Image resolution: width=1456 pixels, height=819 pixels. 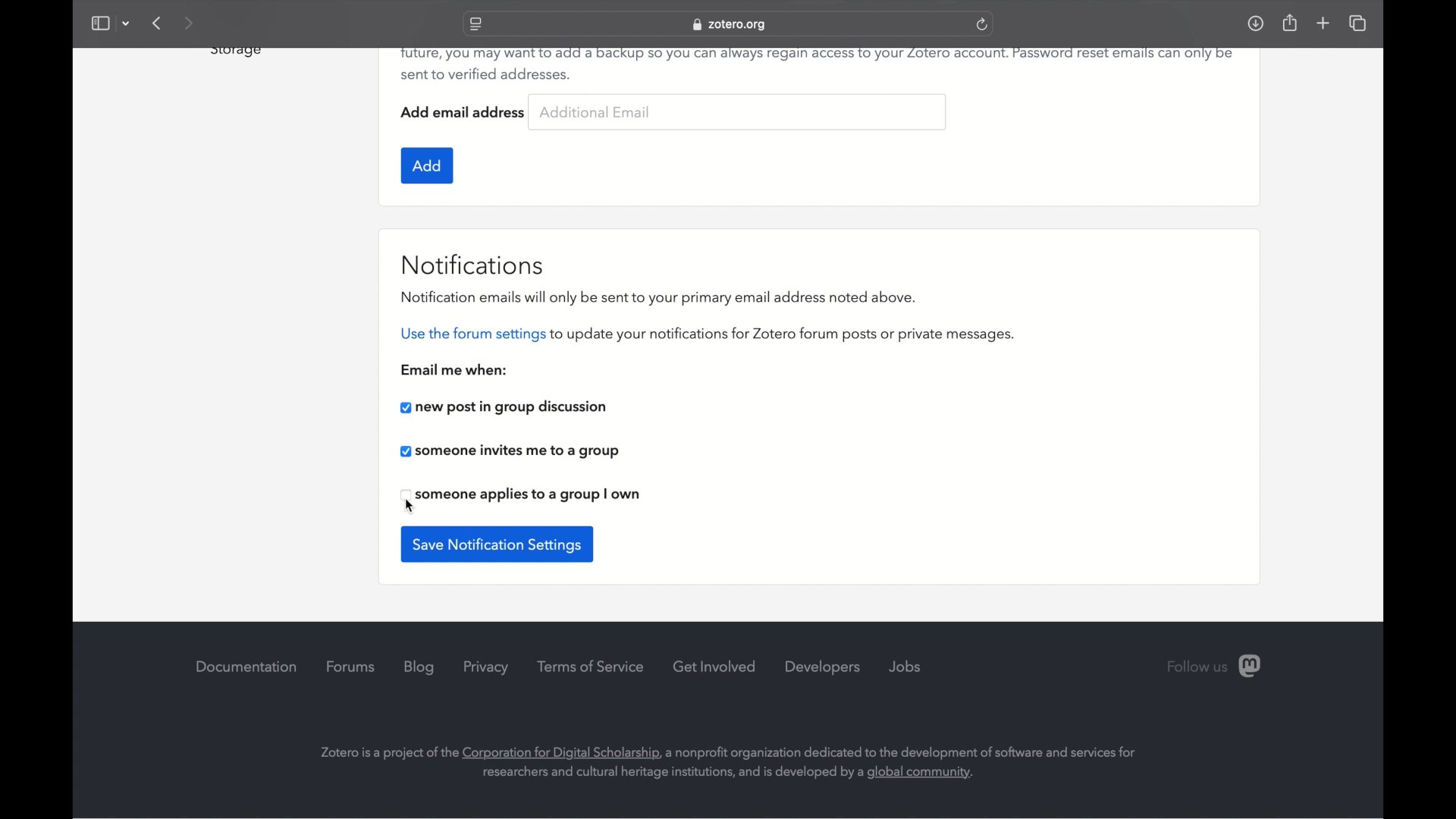 What do you see at coordinates (475, 263) in the screenshot?
I see `notifications` at bounding box center [475, 263].